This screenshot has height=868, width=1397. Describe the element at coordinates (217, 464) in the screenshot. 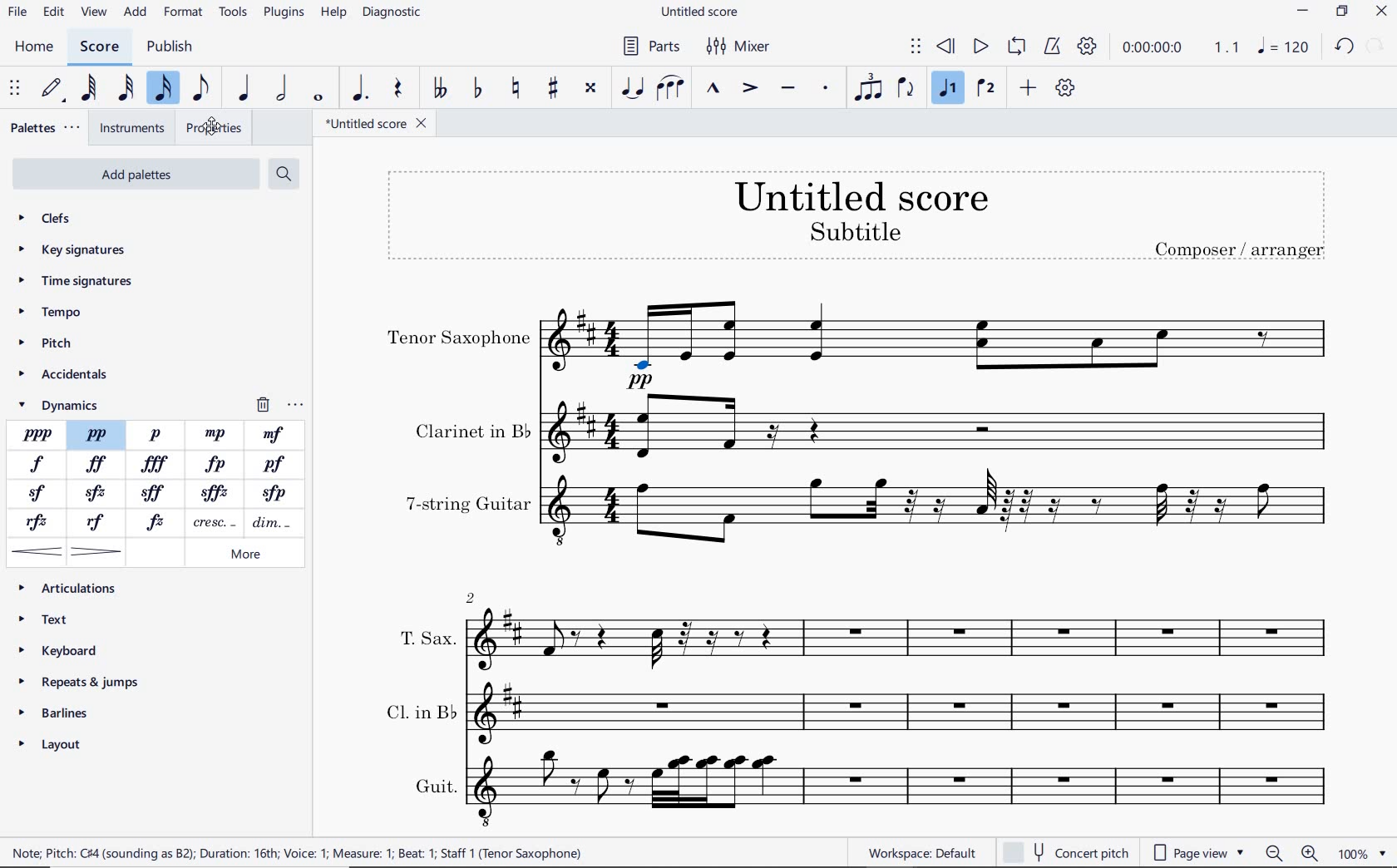

I see `FP (FORTEPIANO)` at that location.